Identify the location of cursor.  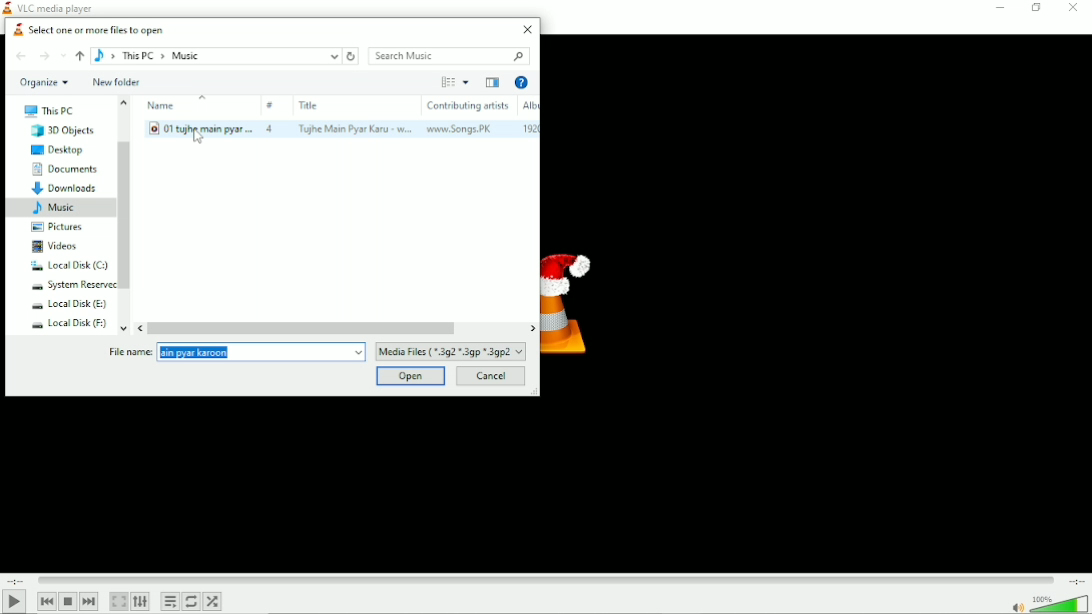
(199, 138).